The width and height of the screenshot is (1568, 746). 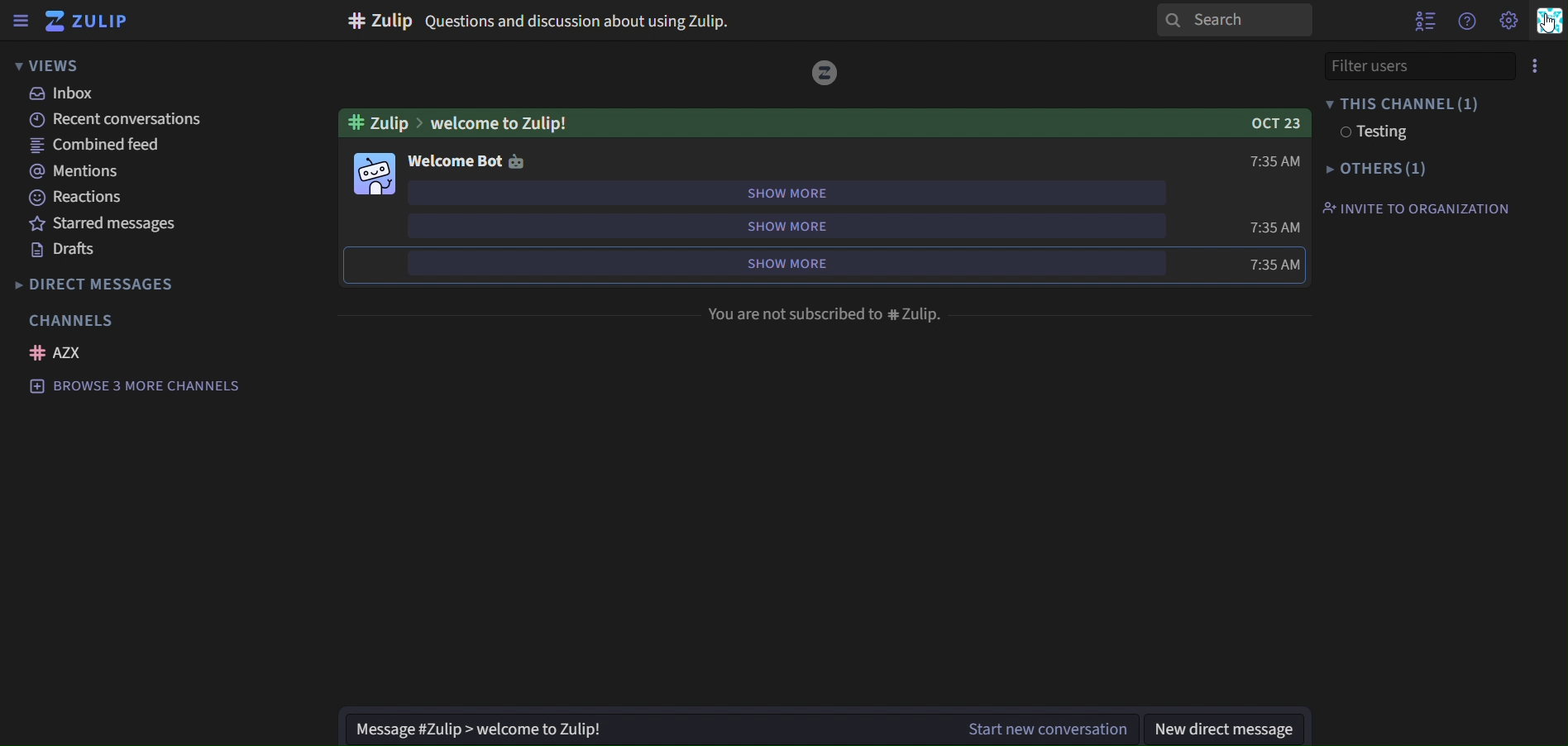 What do you see at coordinates (87, 21) in the screenshot?
I see `zulip` at bounding box center [87, 21].